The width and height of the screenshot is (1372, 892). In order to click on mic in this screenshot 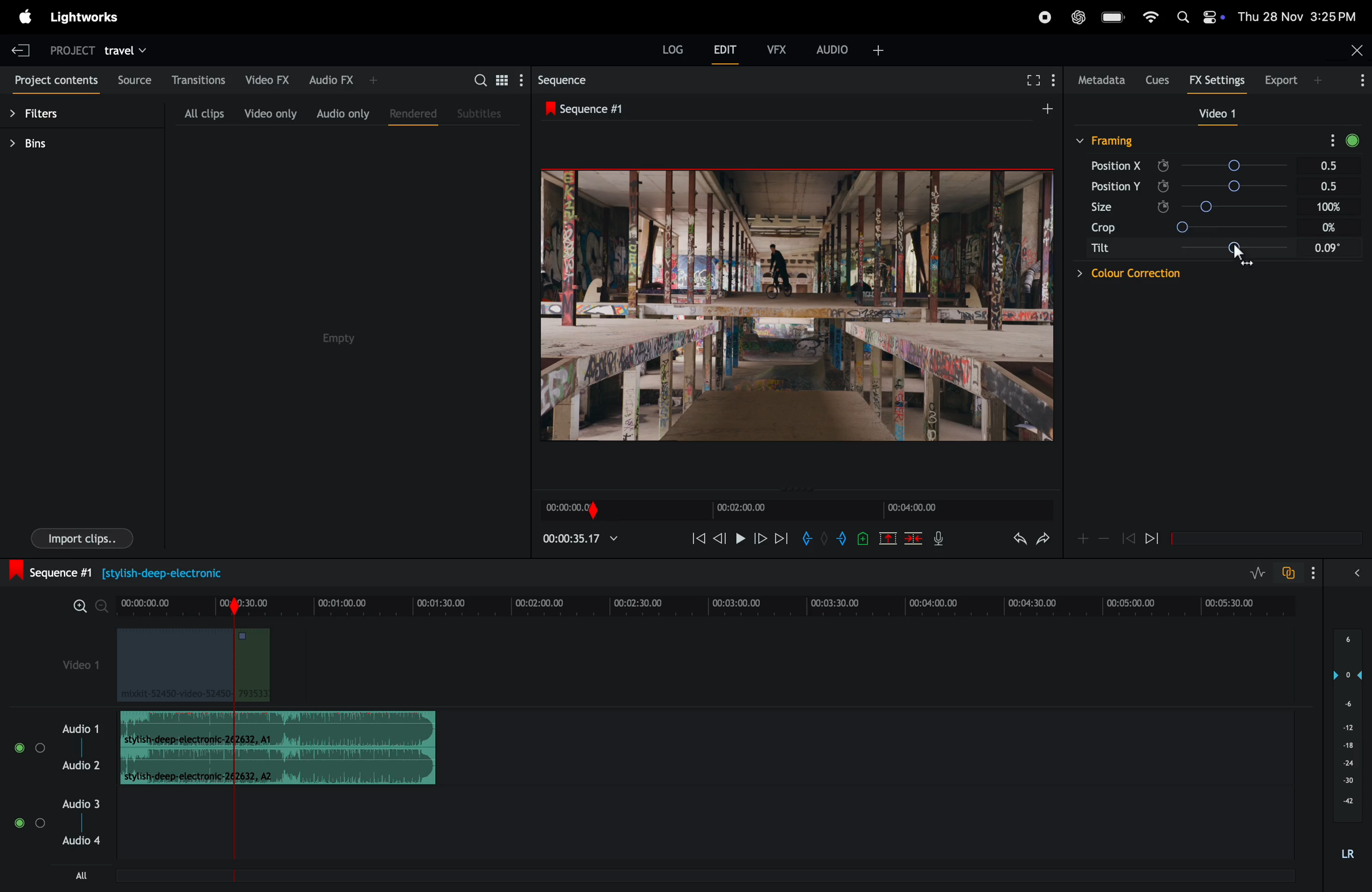, I will do `click(939, 538)`.